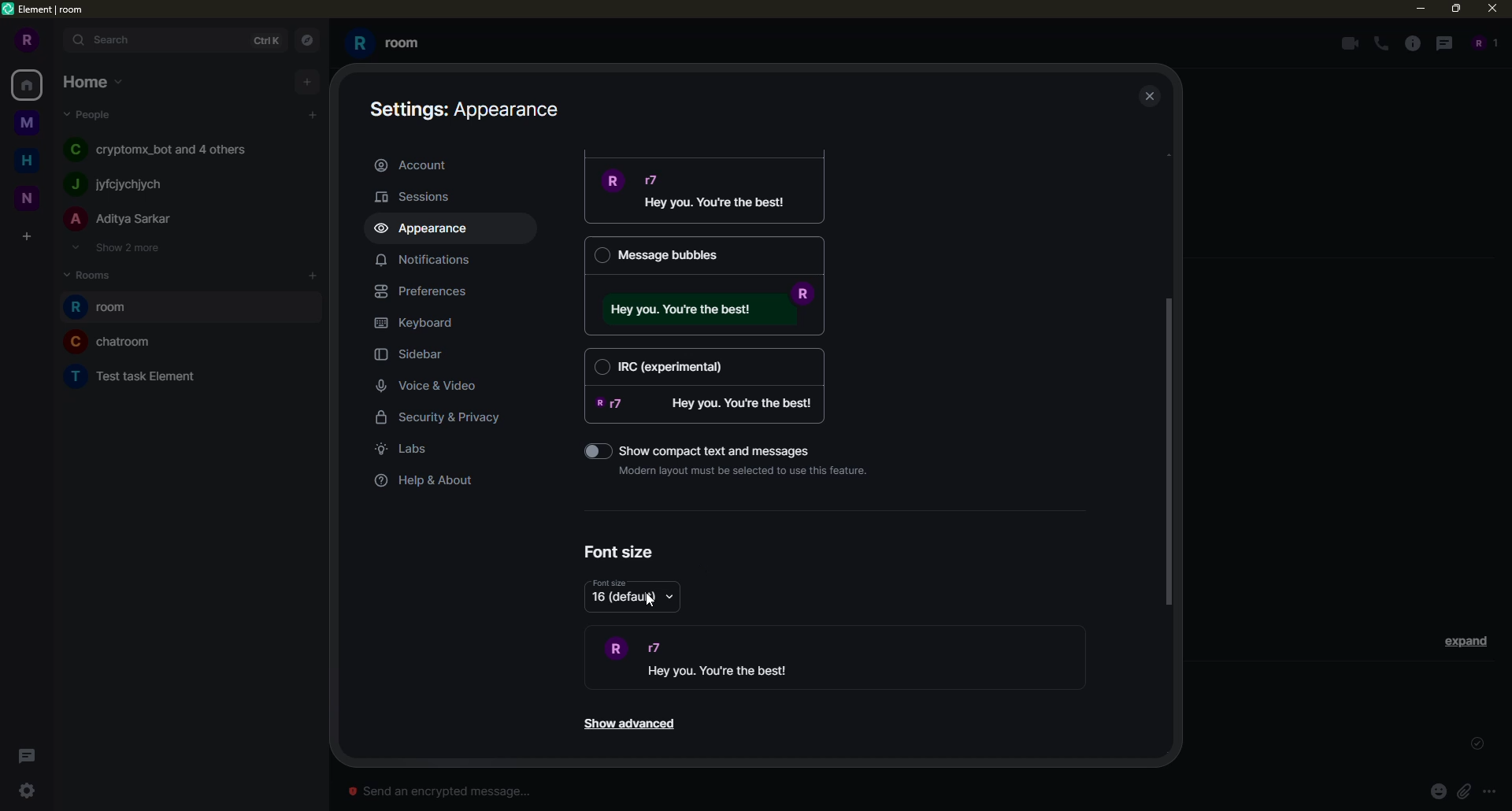  Describe the element at coordinates (1482, 43) in the screenshot. I see `people` at that location.